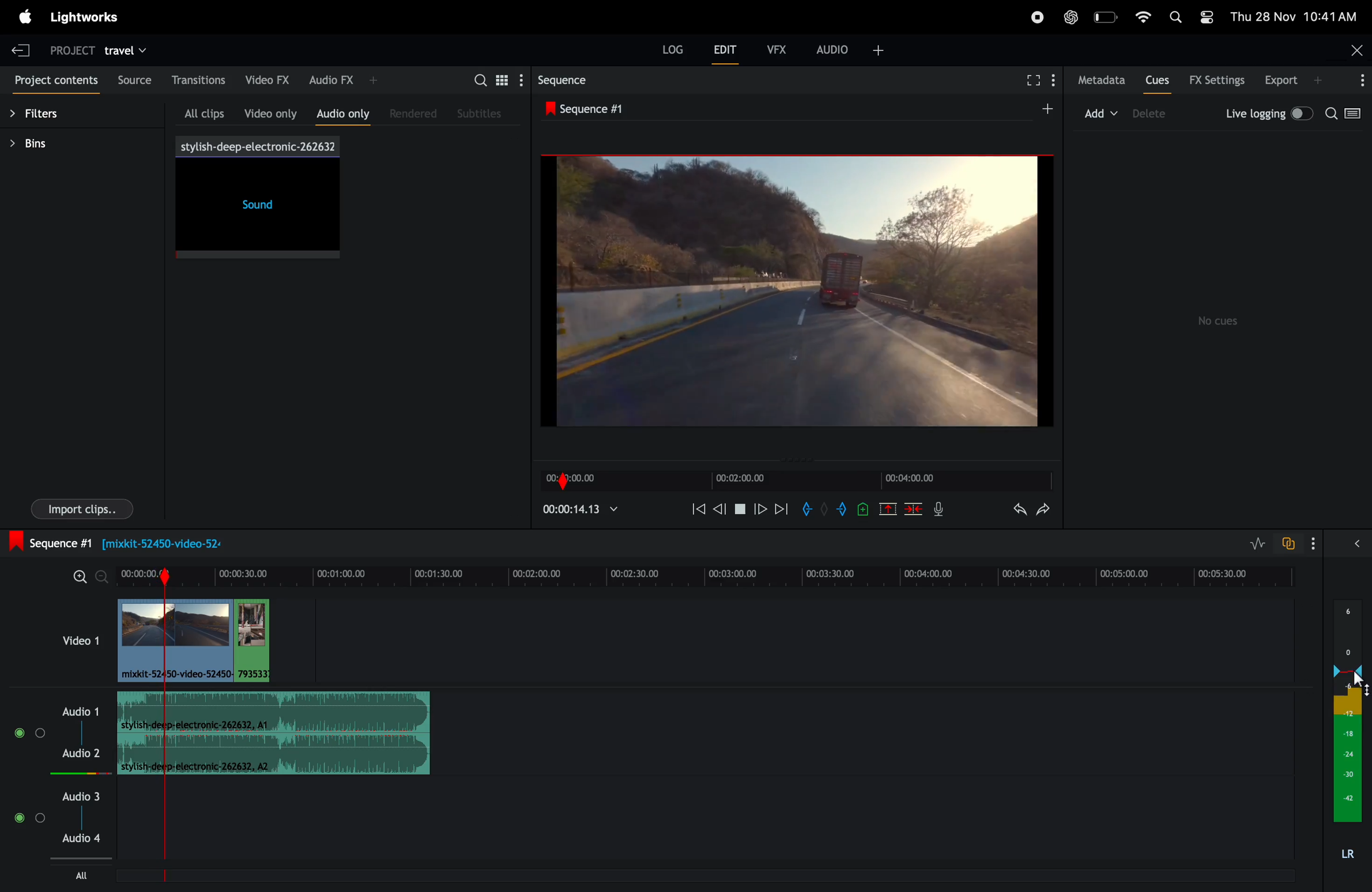 The height and width of the screenshot is (892, 1372). Describe the element at coordinates (1011, 510) in the screenshot. I see `undo` at that location.